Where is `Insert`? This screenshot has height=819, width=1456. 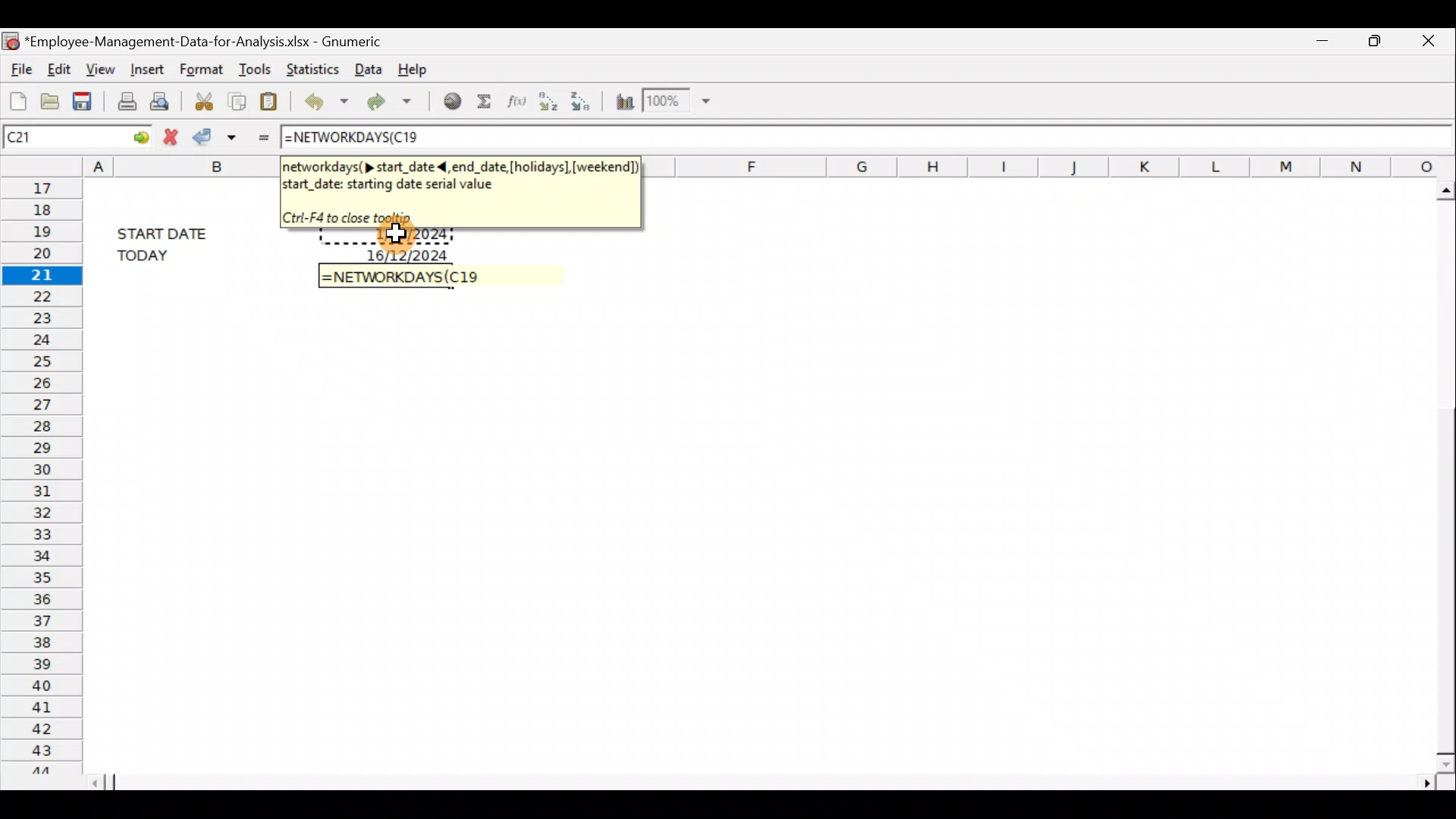 Insert is located at coordinates (146, 70).